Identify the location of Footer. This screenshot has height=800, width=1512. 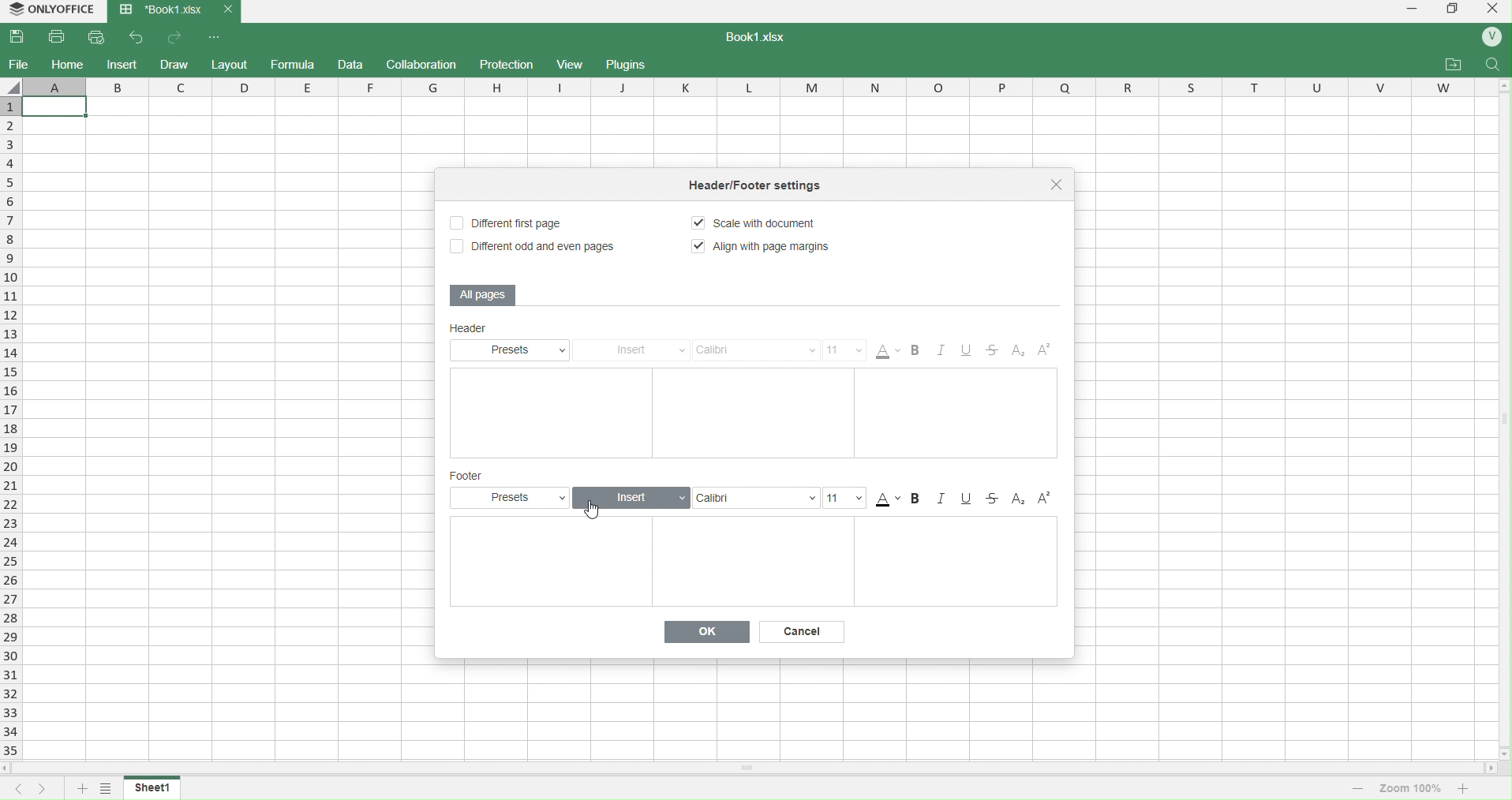
(470, 476).